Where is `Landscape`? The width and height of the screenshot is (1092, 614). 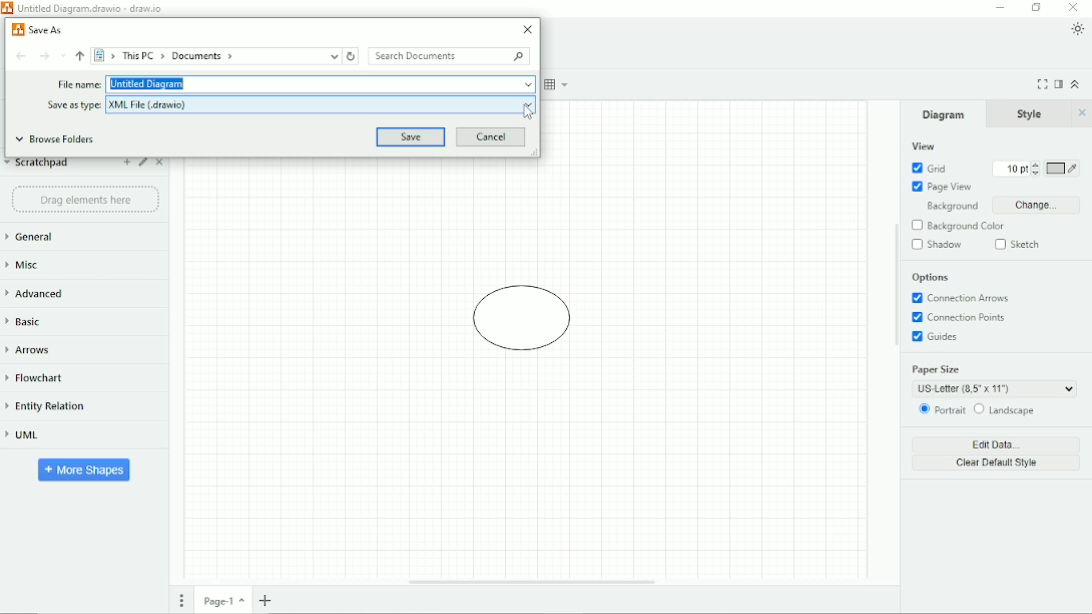
Landscape is located at coordinates (1004, 409).